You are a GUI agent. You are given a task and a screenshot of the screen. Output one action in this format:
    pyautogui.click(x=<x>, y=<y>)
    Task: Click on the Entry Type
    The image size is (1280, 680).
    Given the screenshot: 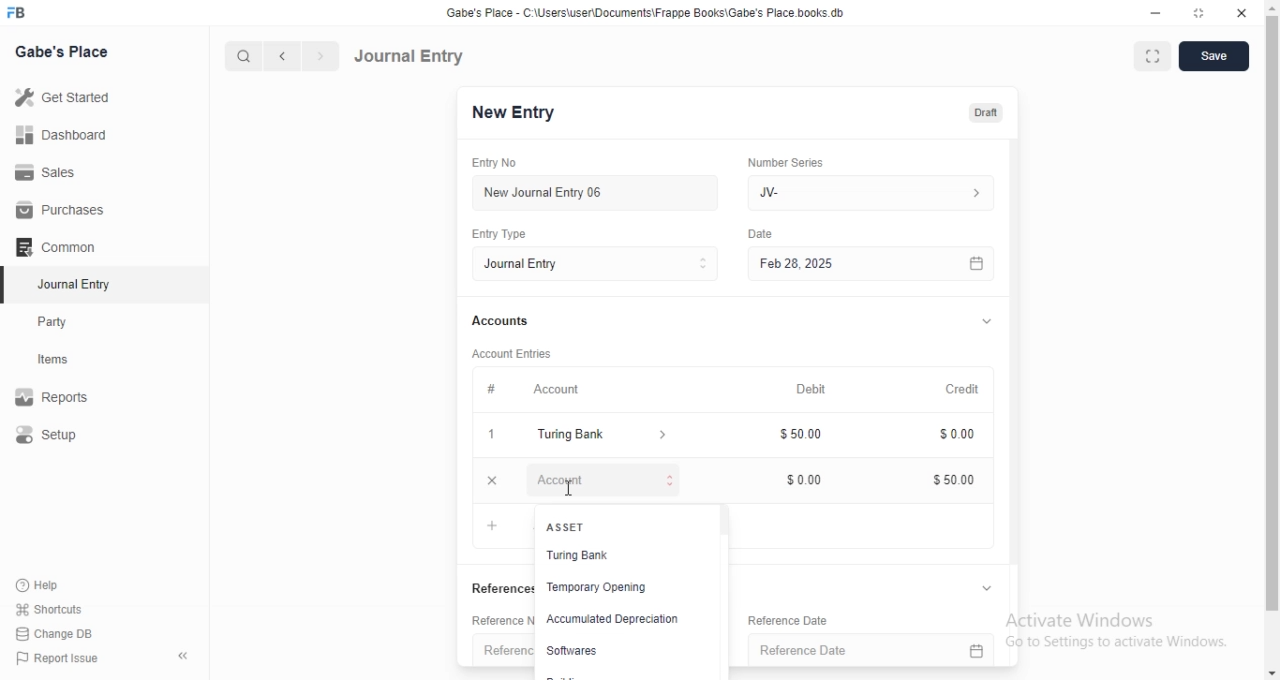 What is the action you would take?
    pyautogui.click(x=602, y=264)
    